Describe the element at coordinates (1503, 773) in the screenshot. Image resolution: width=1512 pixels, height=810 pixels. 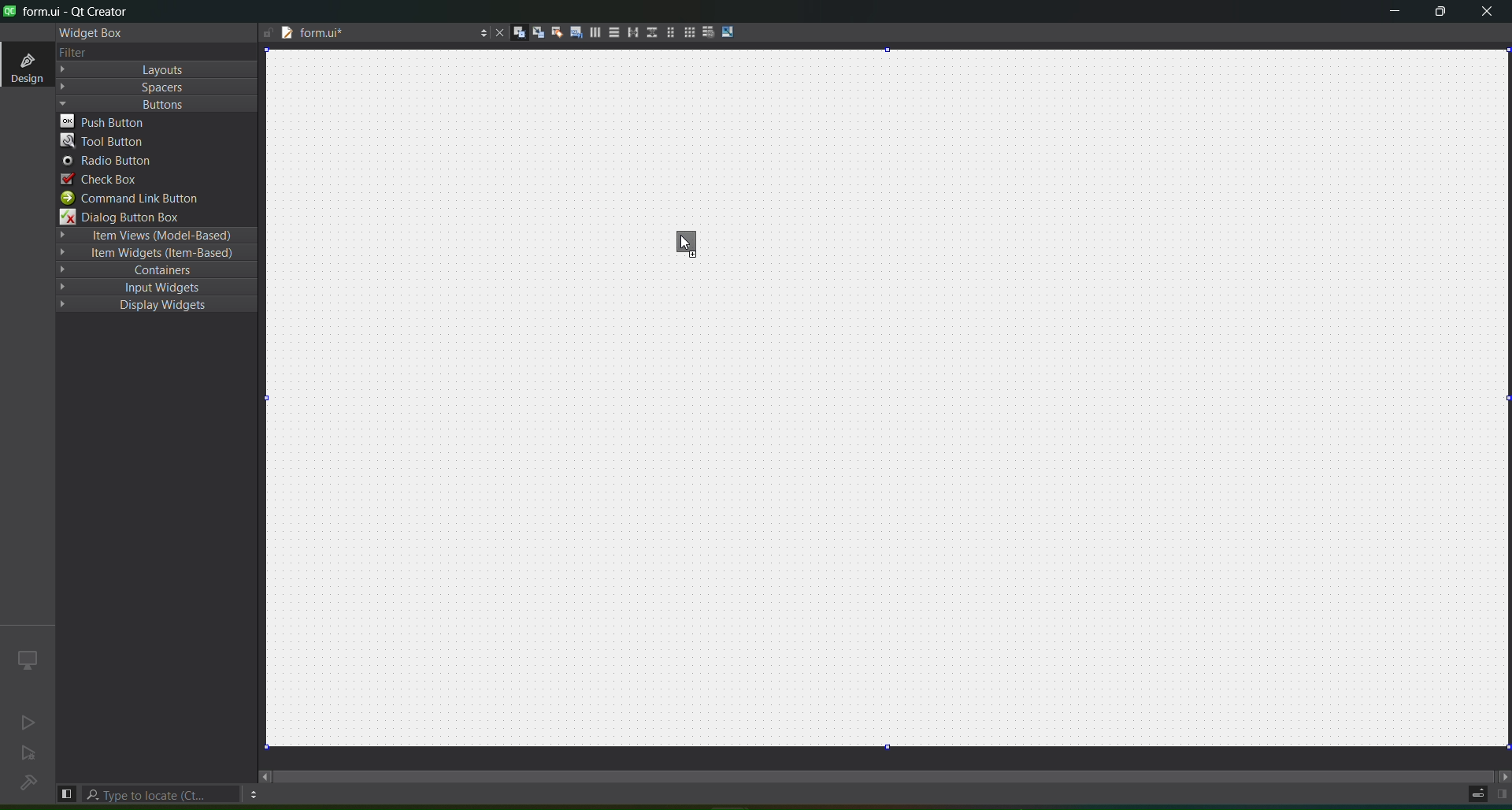
I see `move right` at that location.